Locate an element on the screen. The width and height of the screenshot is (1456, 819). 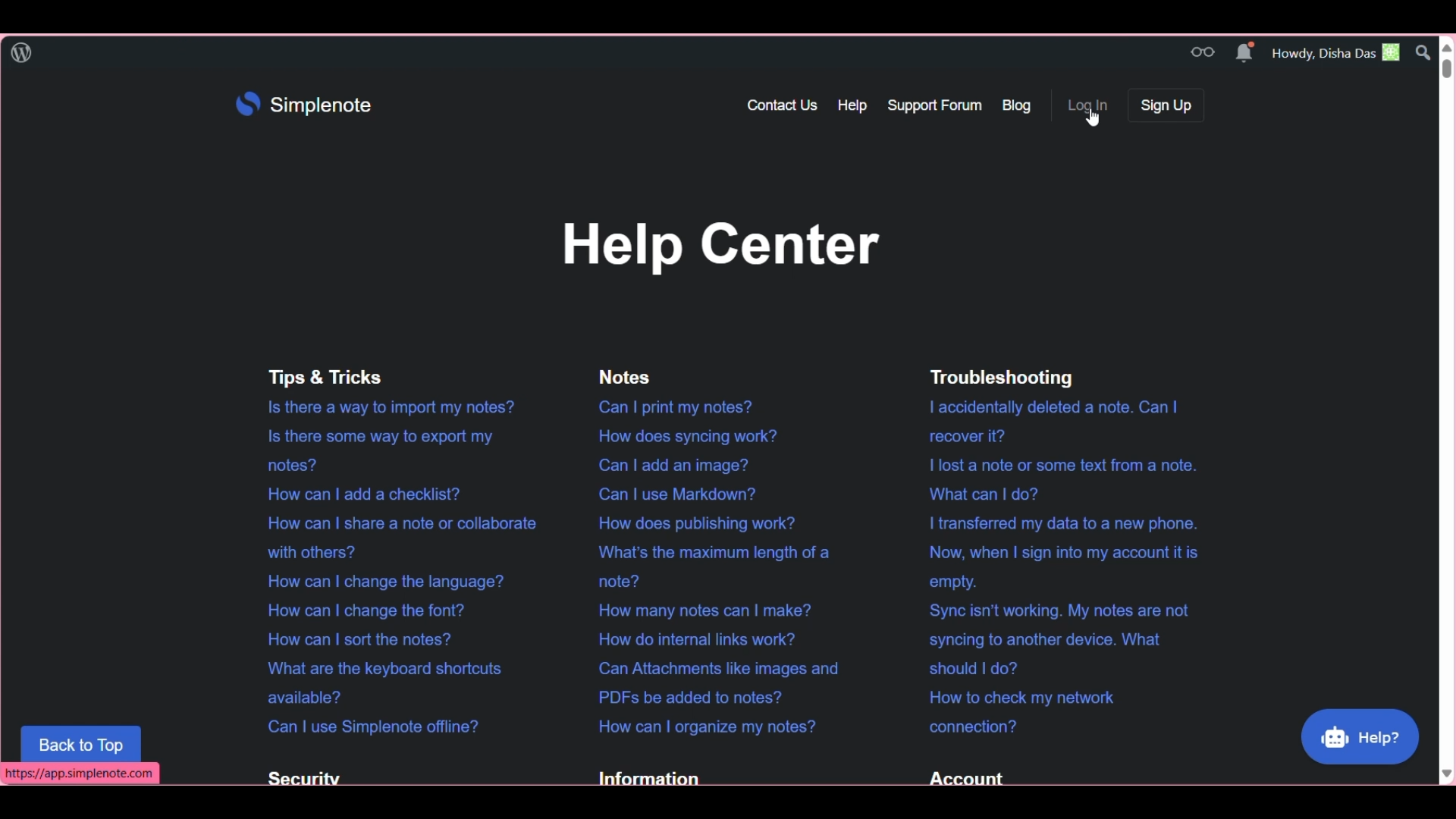
Manage notifications is located at coordinates (1244, 52).